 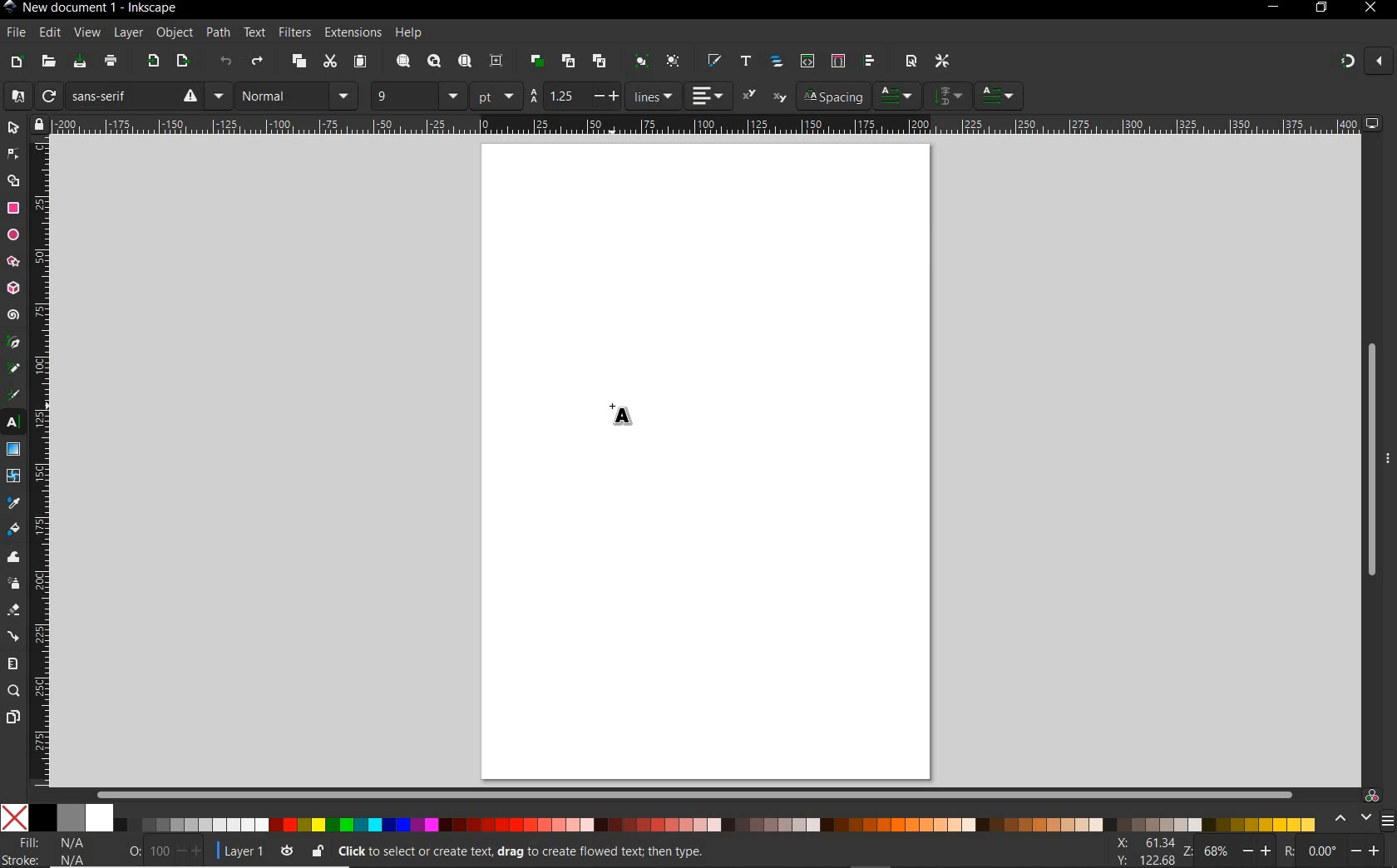 I want to click on ungroup, so click(x=673, y=62).